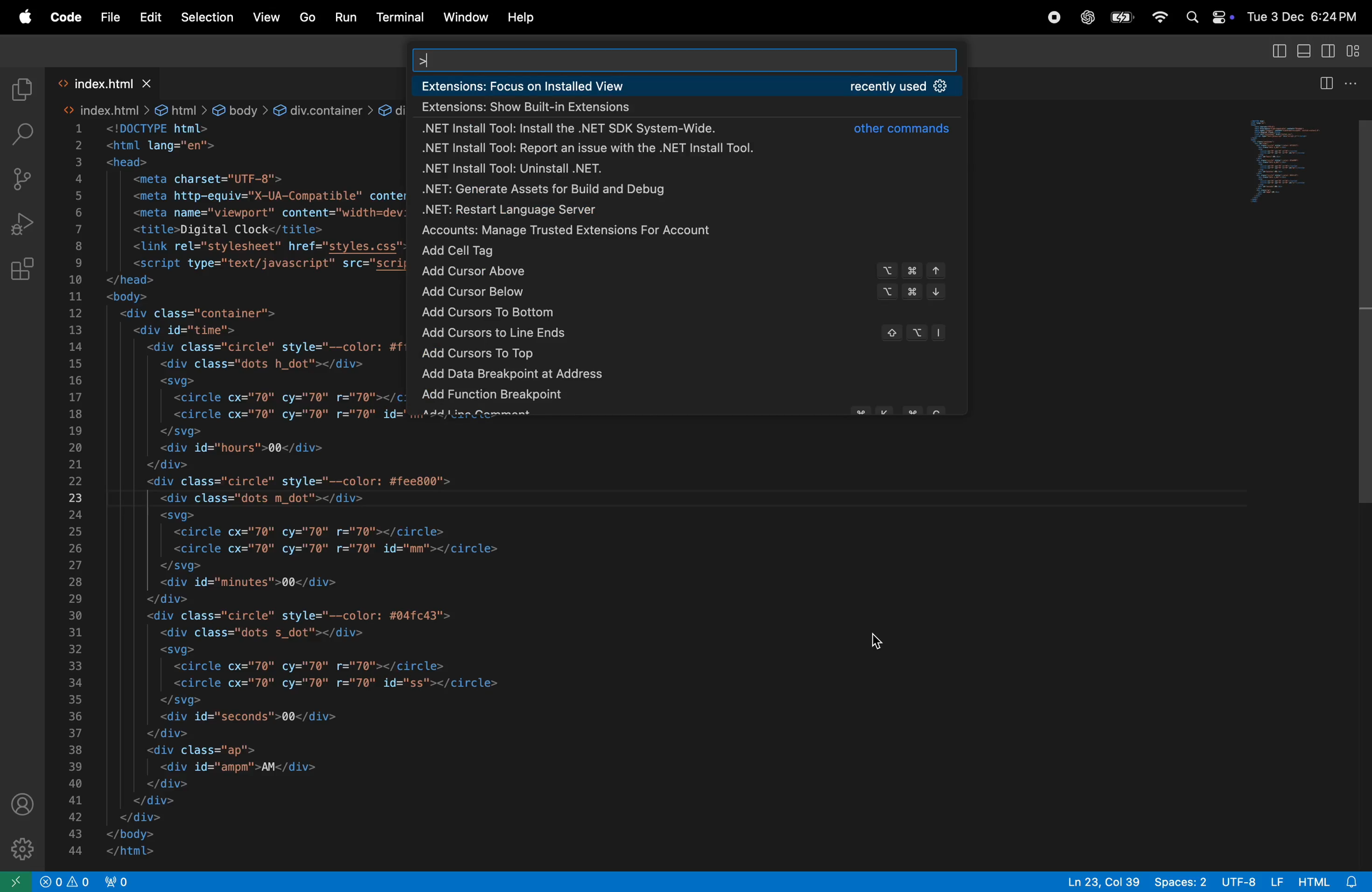 This screenshot has height=892, width=1372. I want to click on help, so click(526, 17).